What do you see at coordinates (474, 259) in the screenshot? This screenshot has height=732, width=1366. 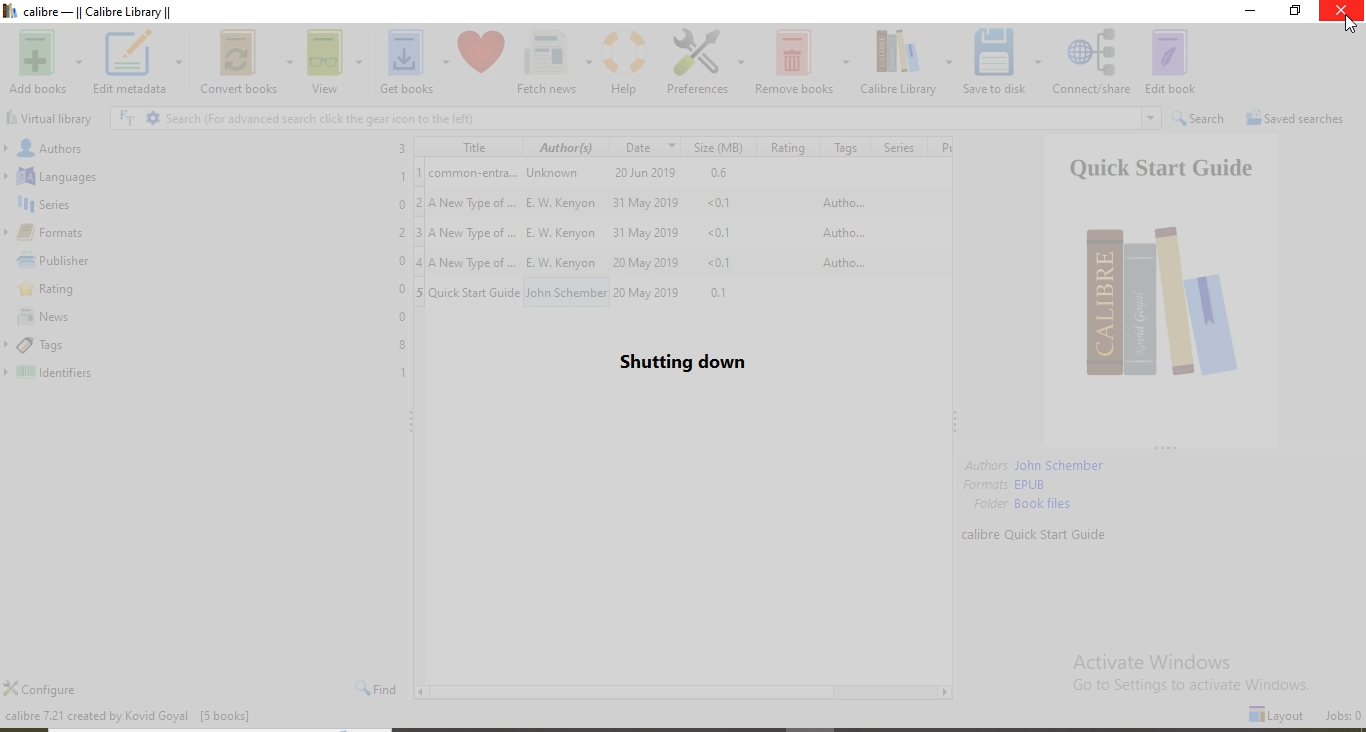 I see `A New Type of...` at bounding box center [474, 259].